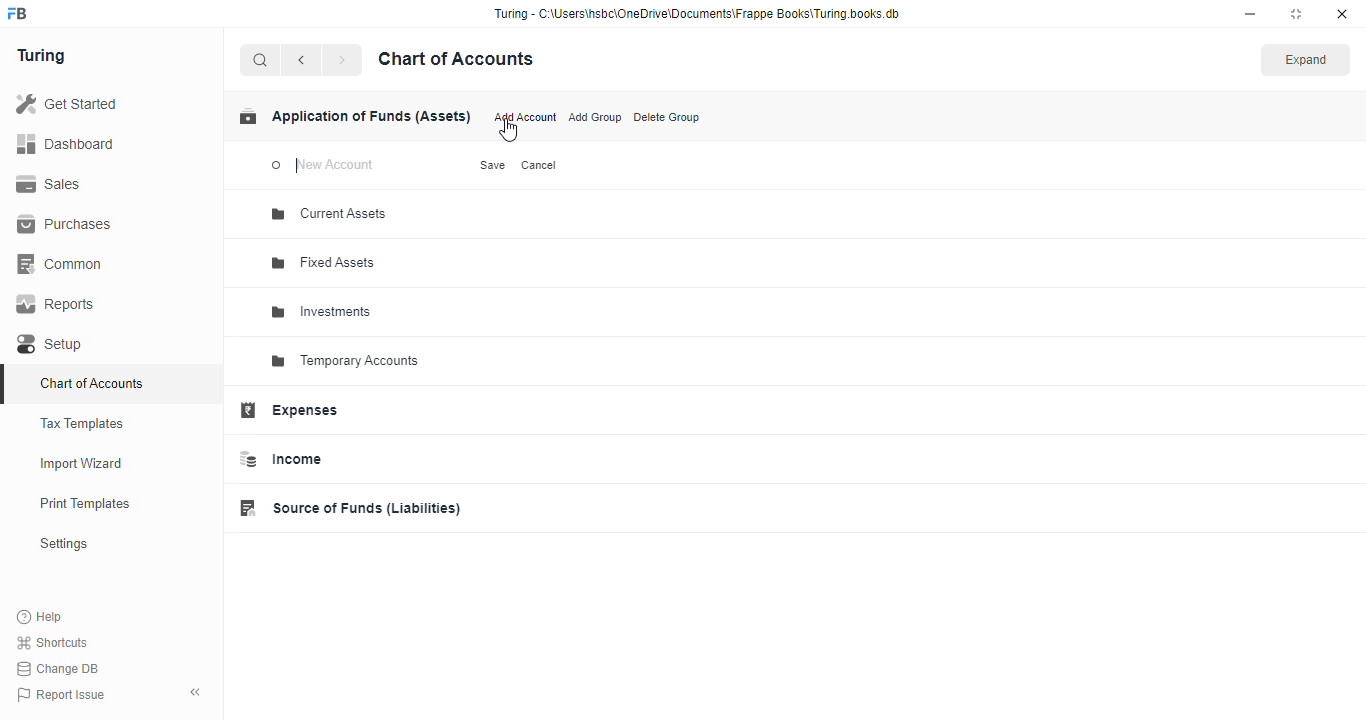  I want to click on settings, so click(63, 543).